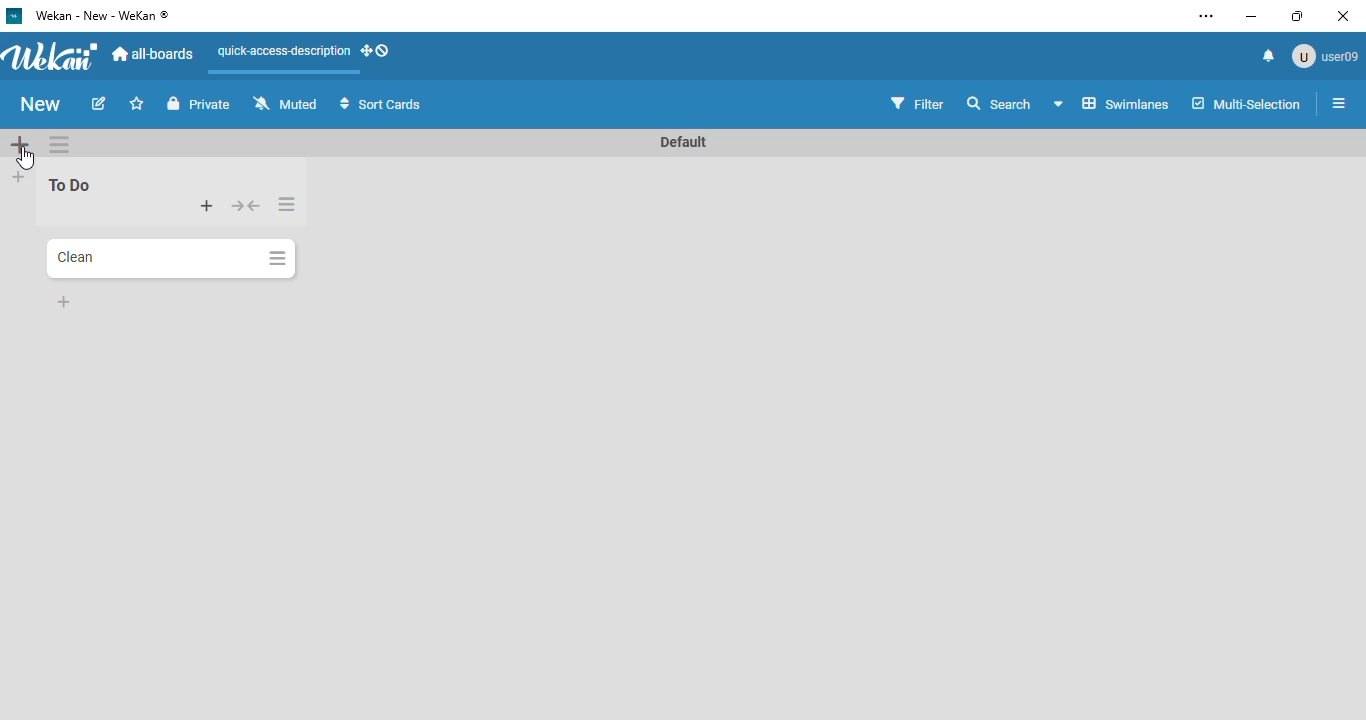  I want to click on swimlane actions, so click(60, 145).